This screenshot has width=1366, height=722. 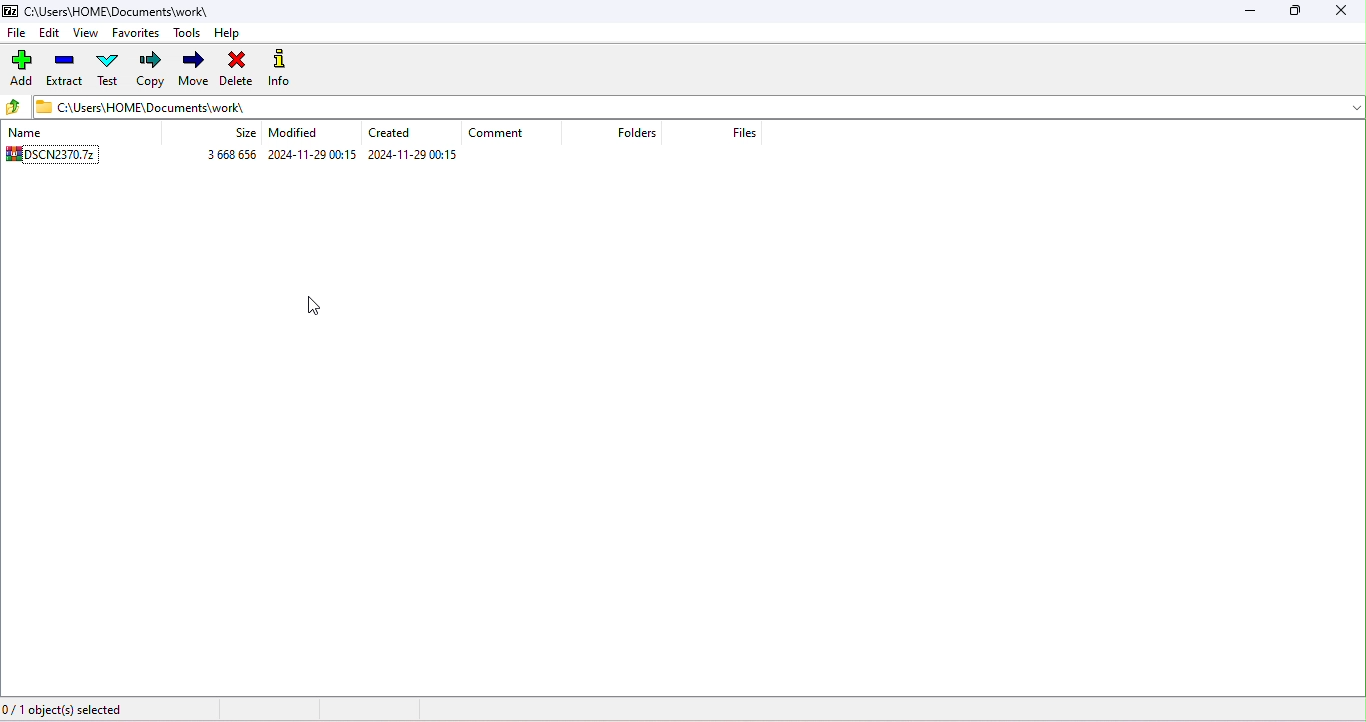 What do you see at coordinates (236, 69) in the screenshot?
I see `delete` at bounding box center [236, 69].